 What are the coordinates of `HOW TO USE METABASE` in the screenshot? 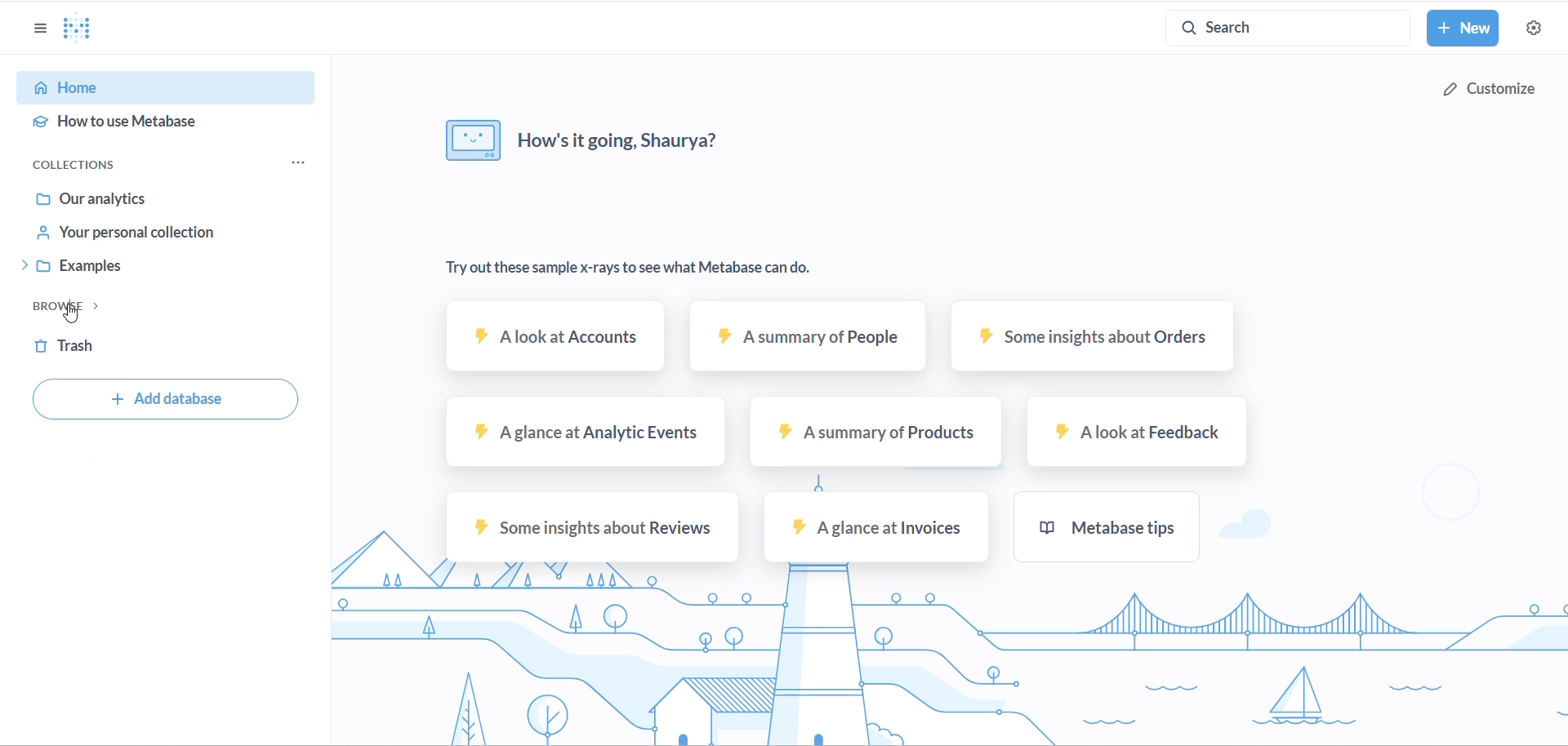 It's located at (150, 122).